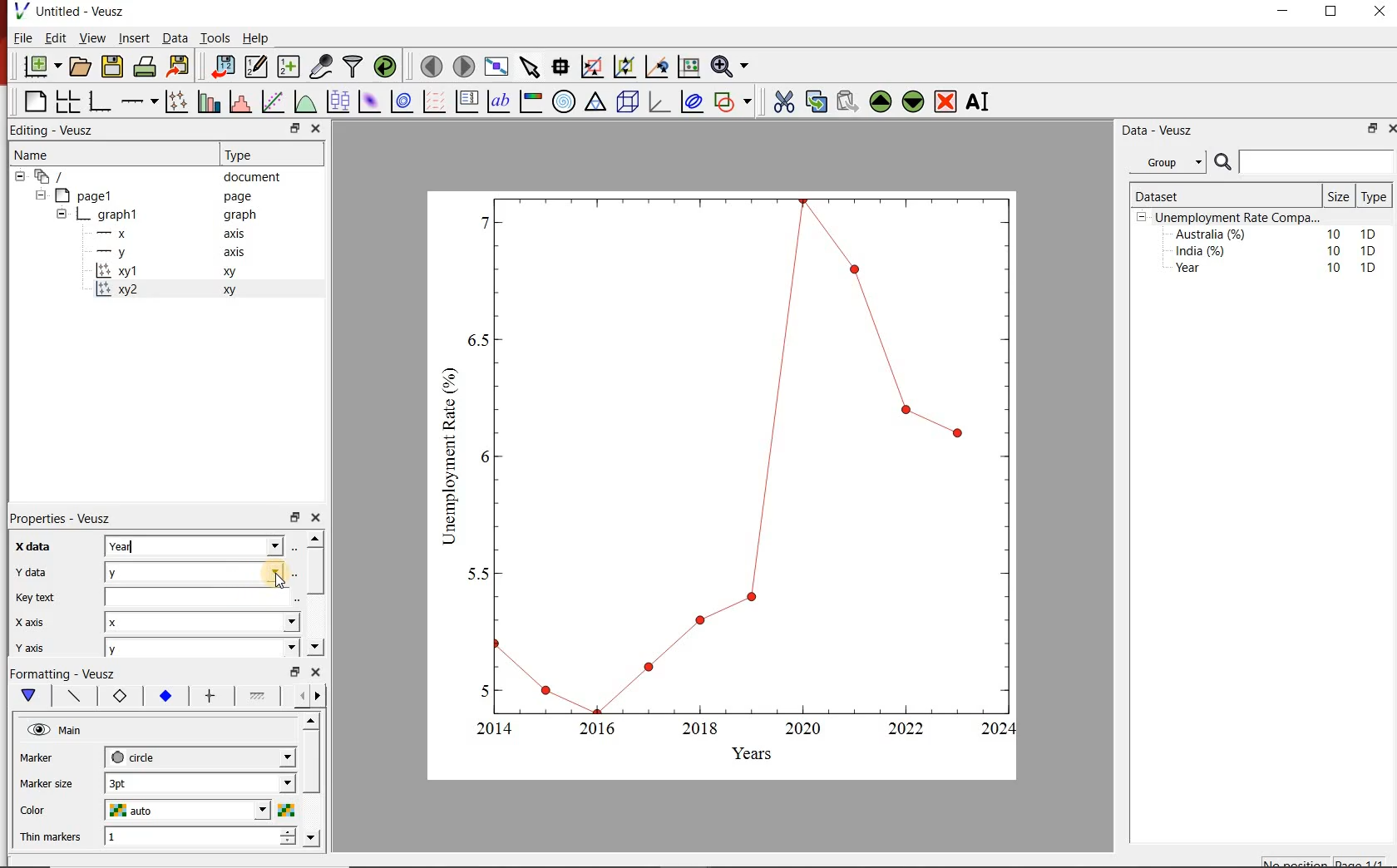 This screenshot has width=1397, height=868. I want to click on x data, so click(29, 547).